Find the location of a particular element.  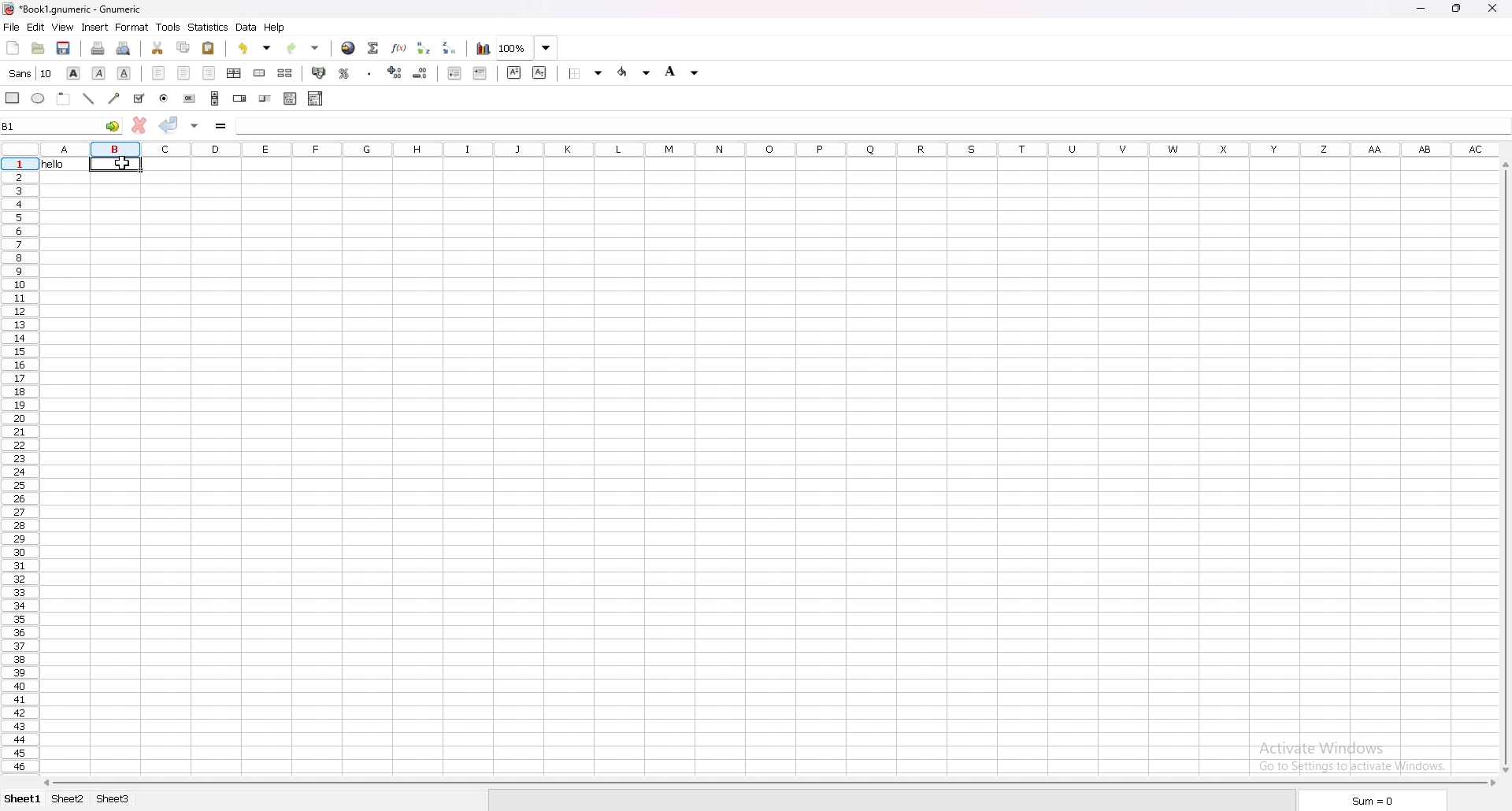

enter formula is located at coordinates (221, 126).